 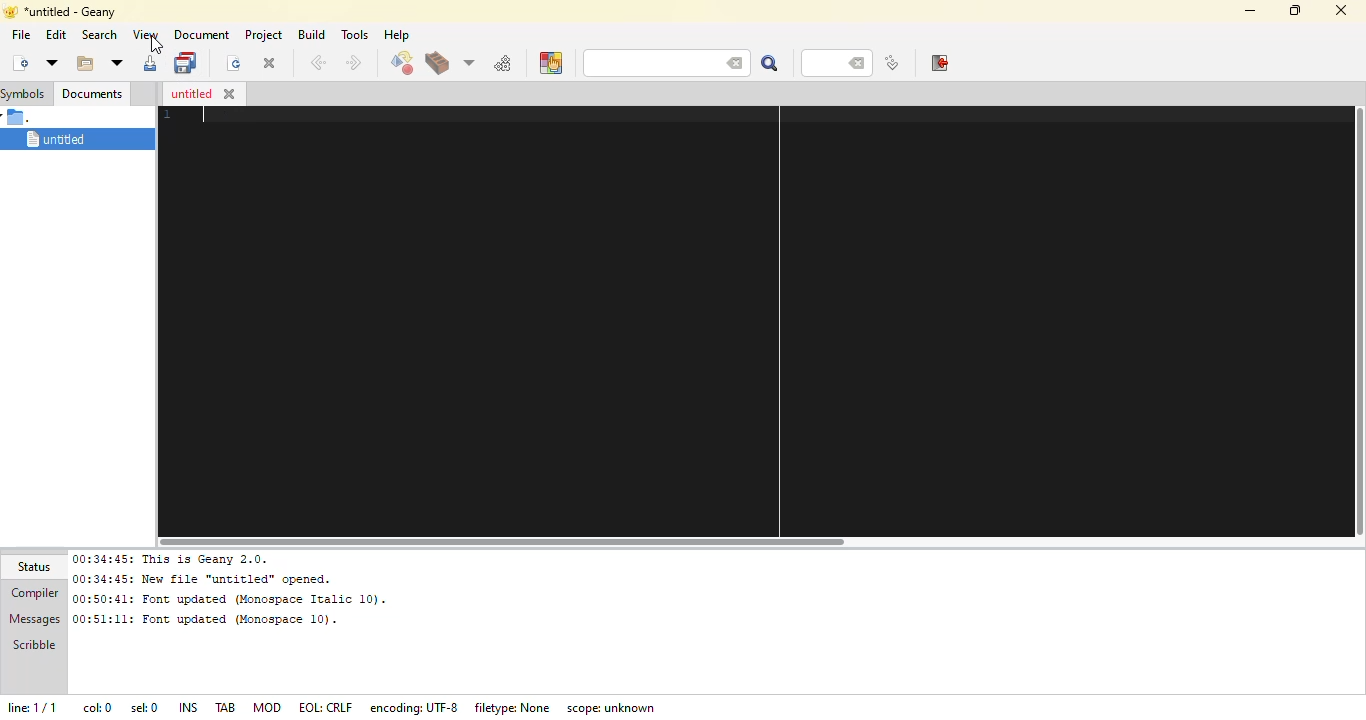 I want to click on tools, so click(x=355, y=34).